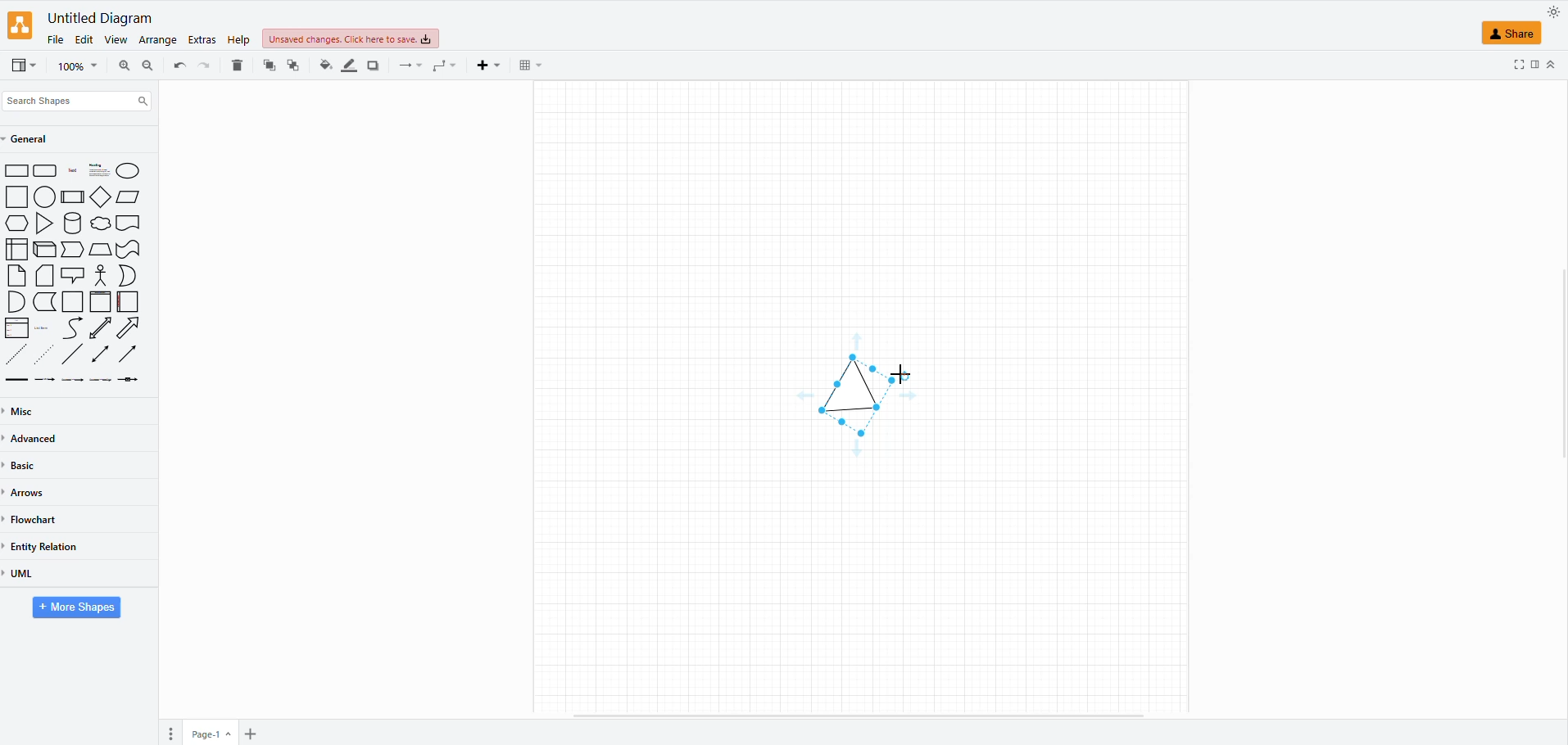  I want to click on flowchart, so click(39, 516).